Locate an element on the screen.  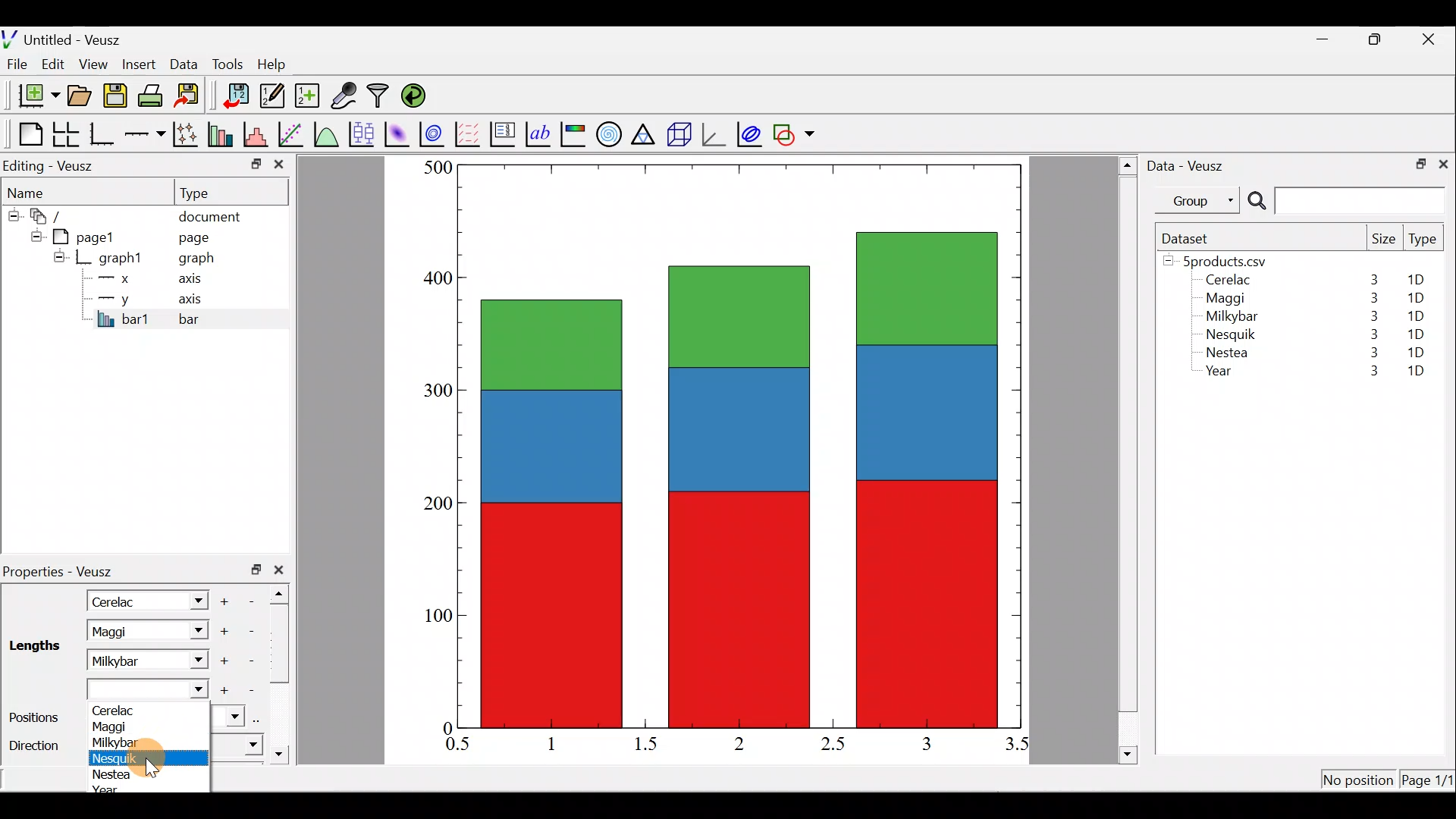
Ternary graph is located at coordinates (645, 132).